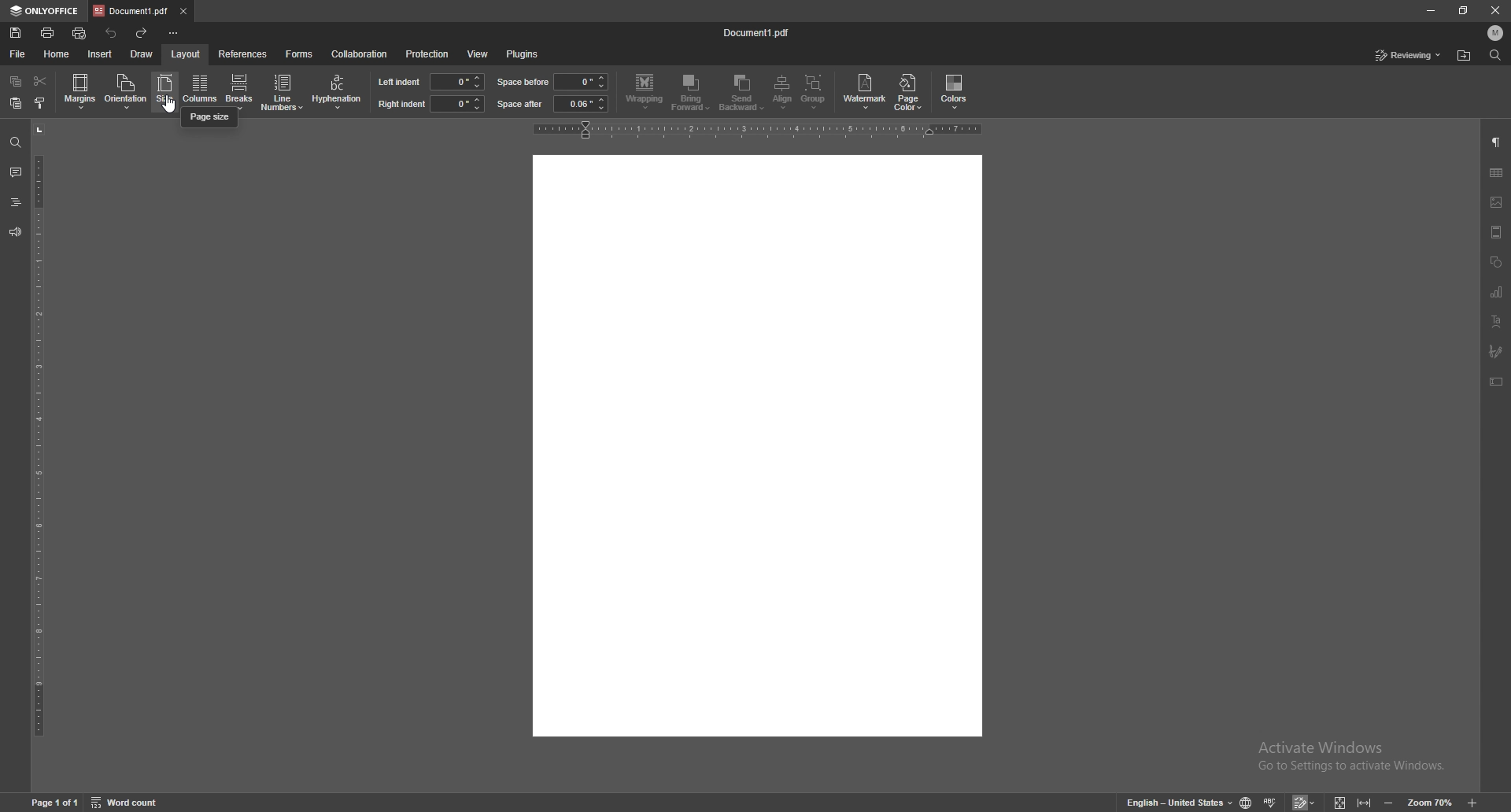  What do you see at coordinates (785, 92) in the screenshot?
I see `align` at bounding box center [785, 92].